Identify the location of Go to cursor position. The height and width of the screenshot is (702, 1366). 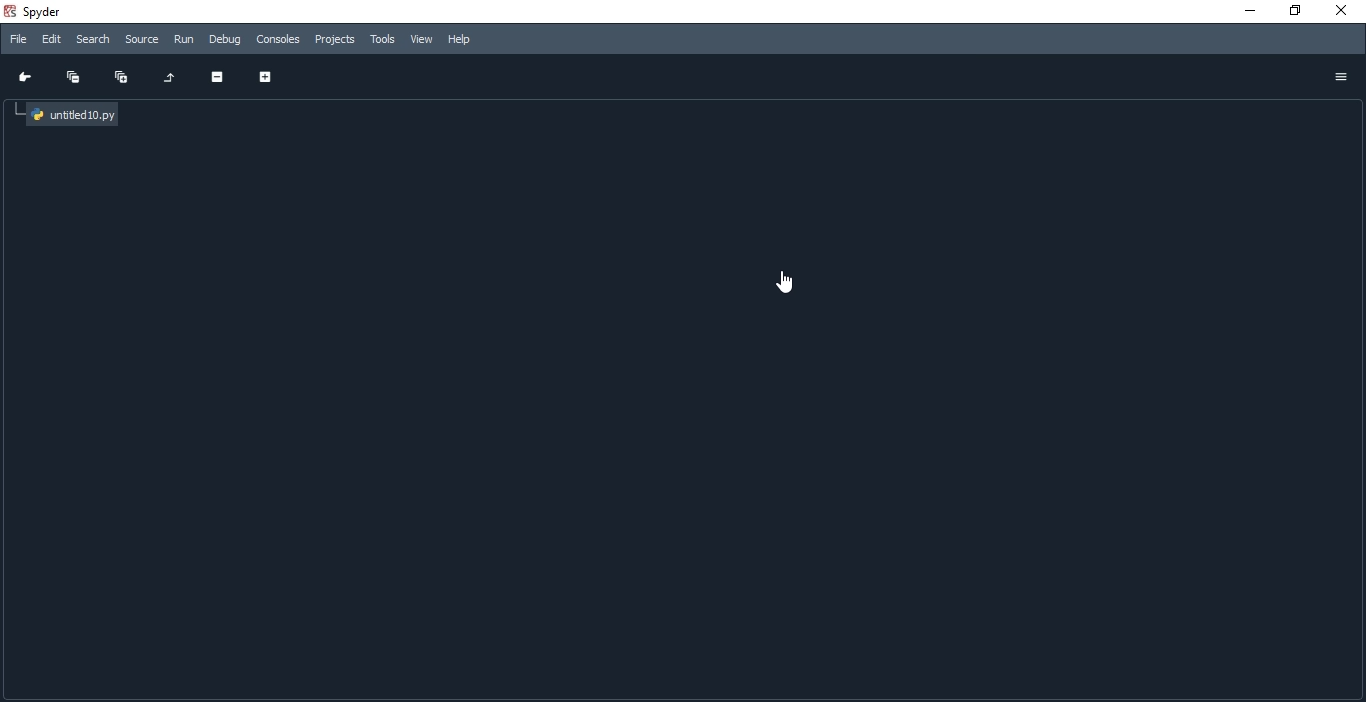
(22, 80).